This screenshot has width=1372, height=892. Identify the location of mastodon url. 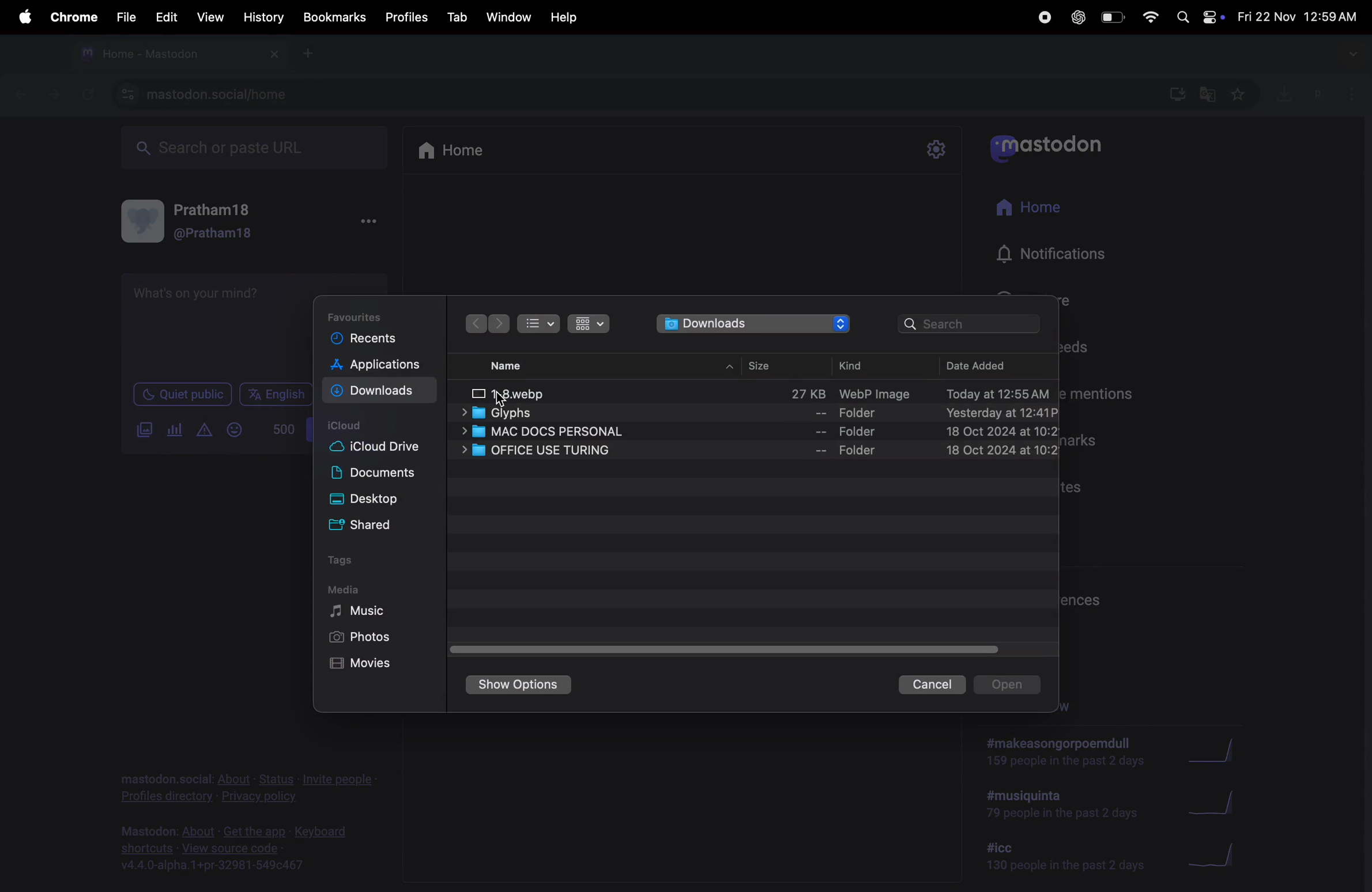
(246, 95).